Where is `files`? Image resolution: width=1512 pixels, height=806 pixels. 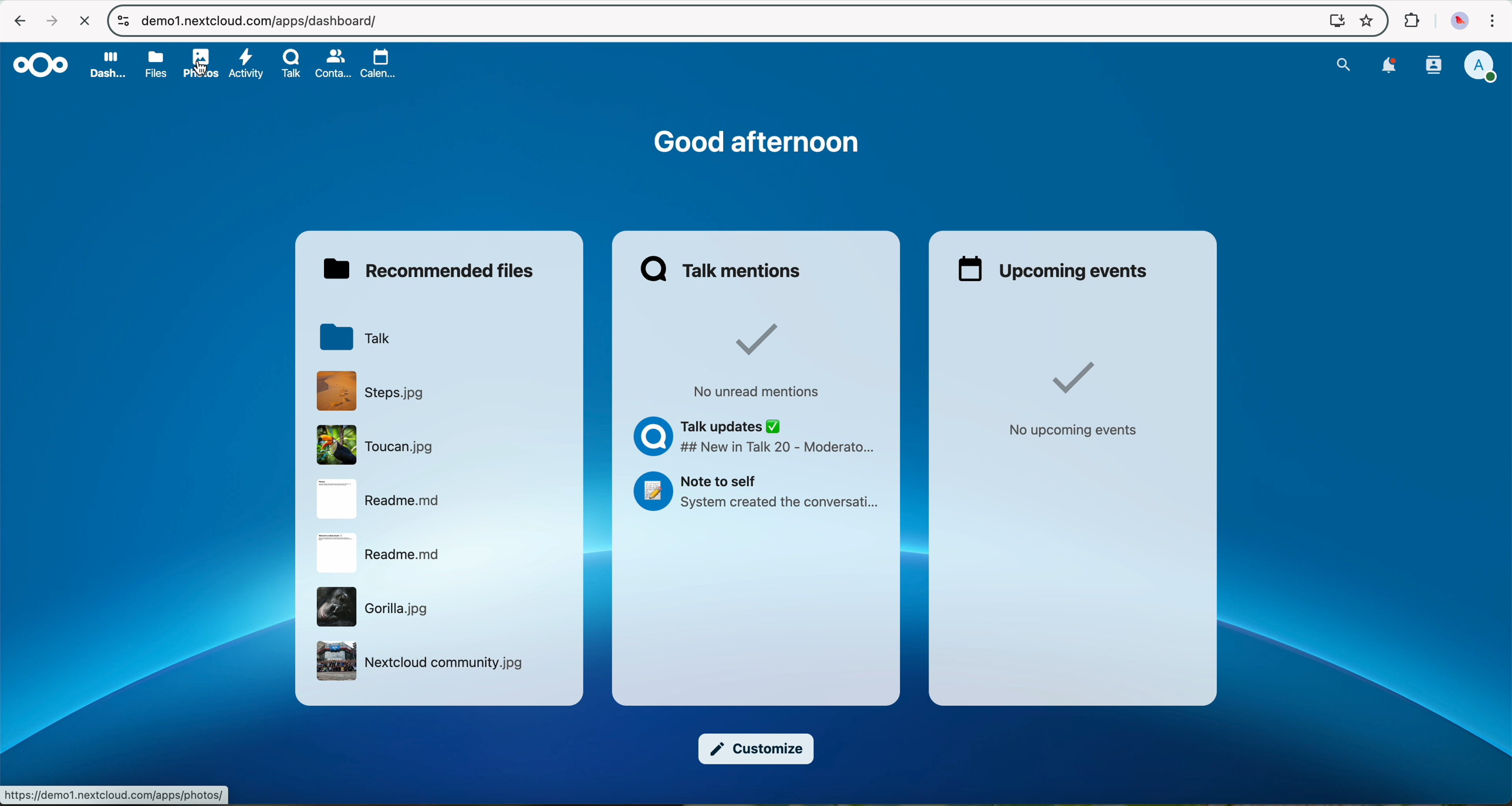
files is located at coordinates (154, 65).